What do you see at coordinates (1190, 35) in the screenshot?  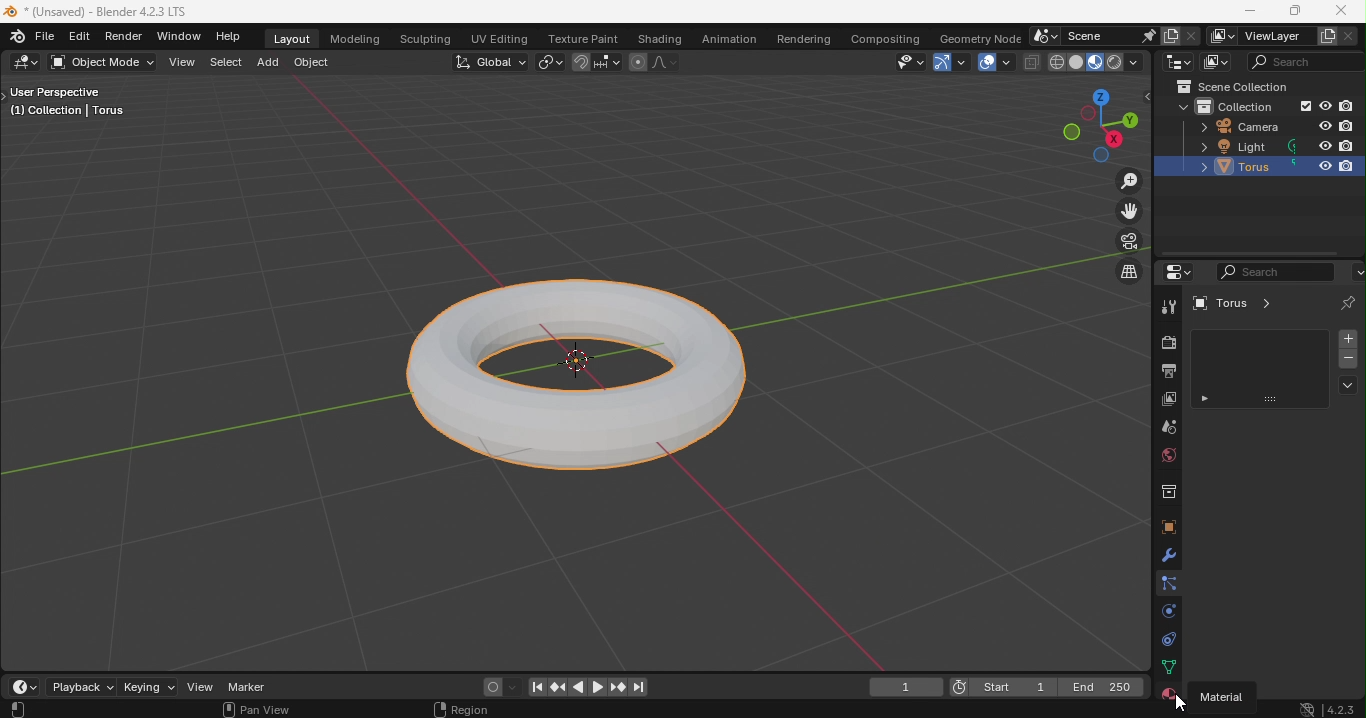 I see `Delete scene` at bounding box center [1190, 35].